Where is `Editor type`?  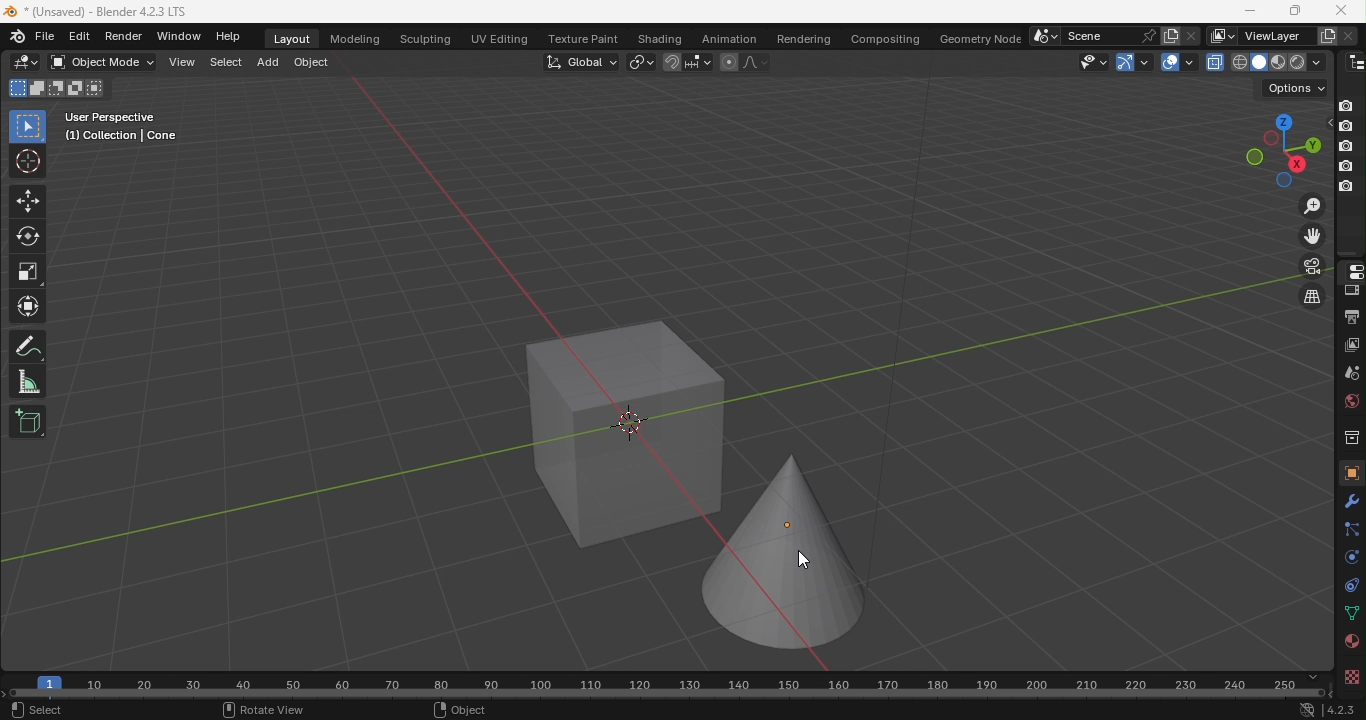 Editor type is located at coordinates (1349, 270).